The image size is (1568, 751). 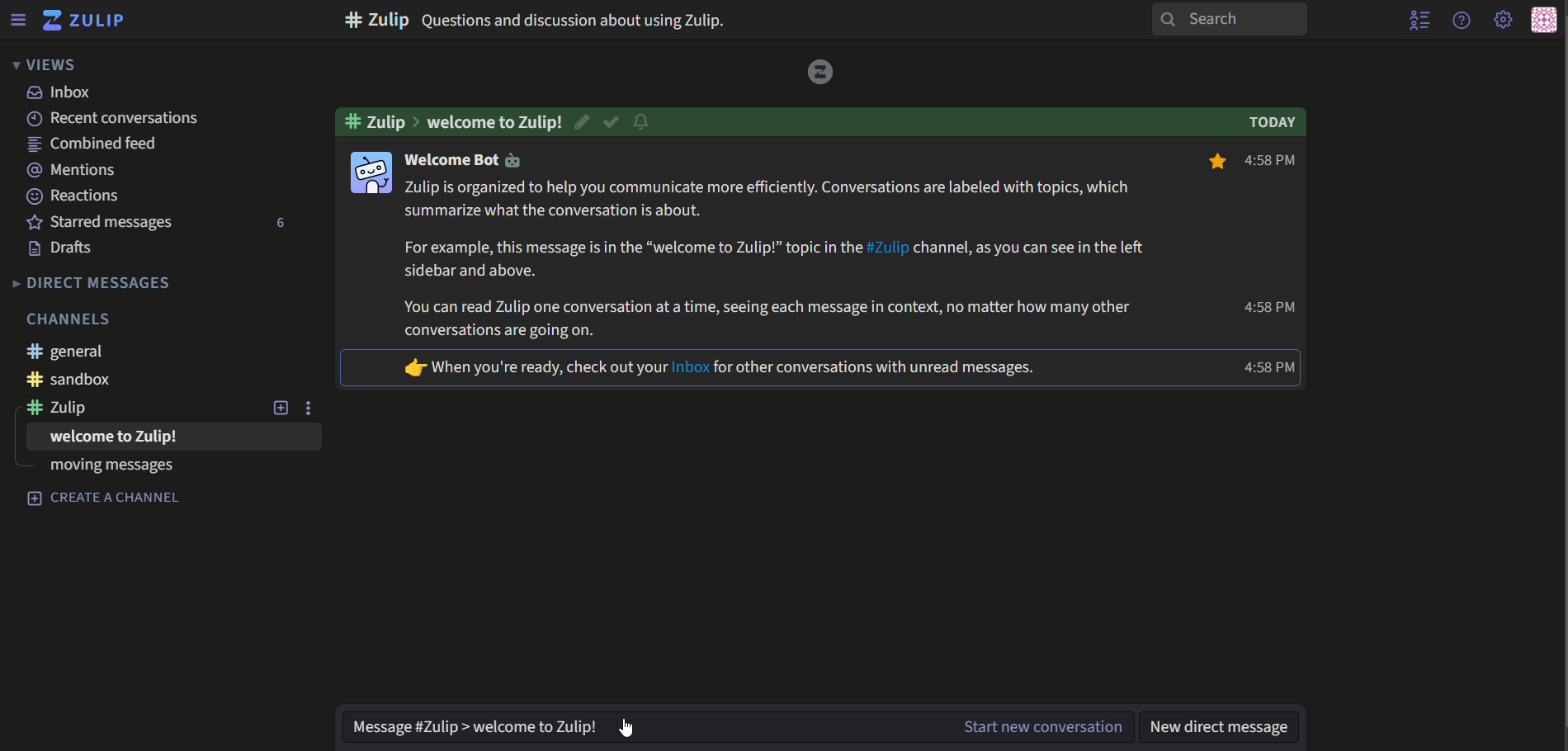 I want to click on Text, so click(x=106, y=499).